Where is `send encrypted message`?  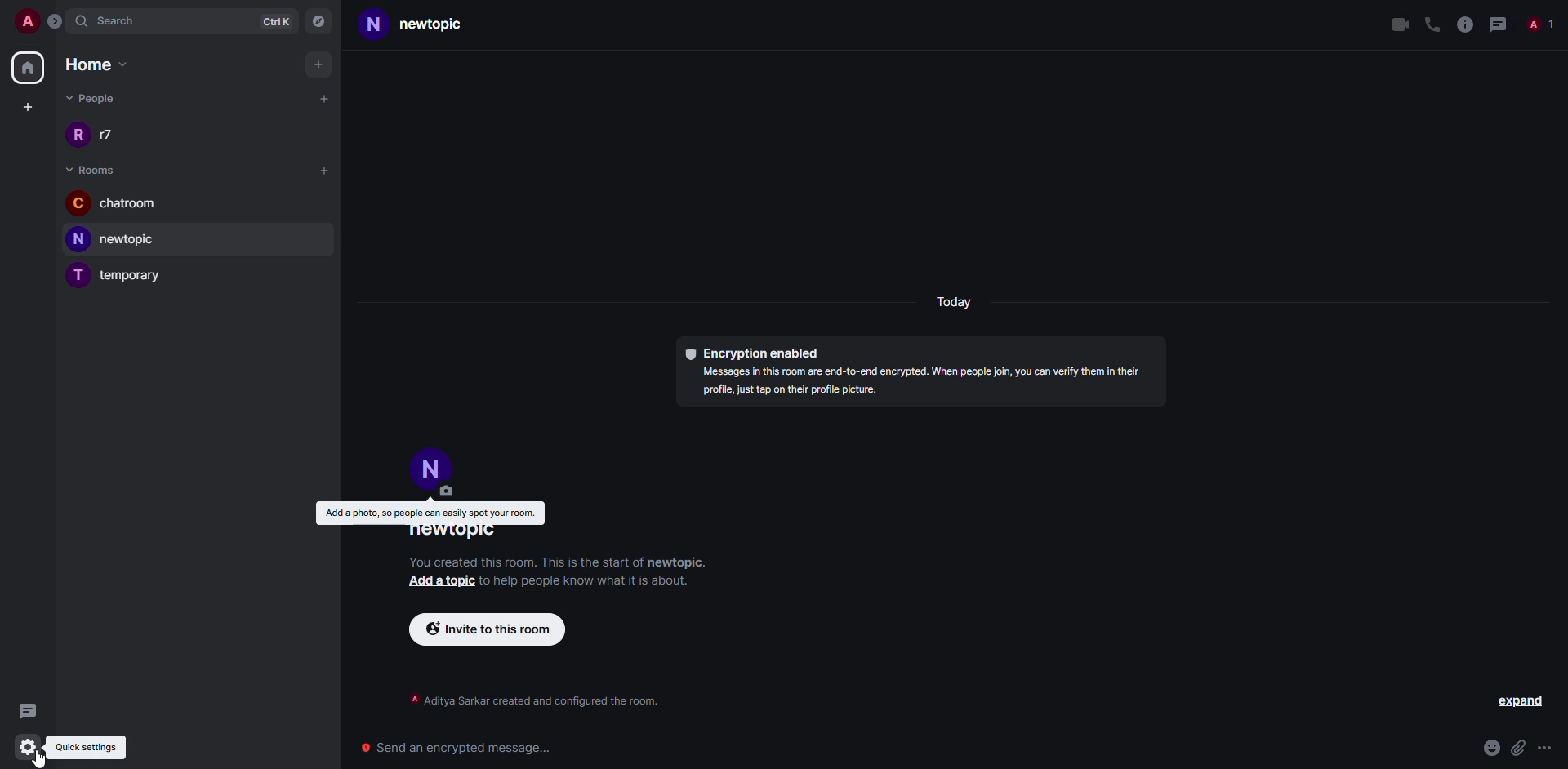 send encrypted message is located at coordinates (461, 746).